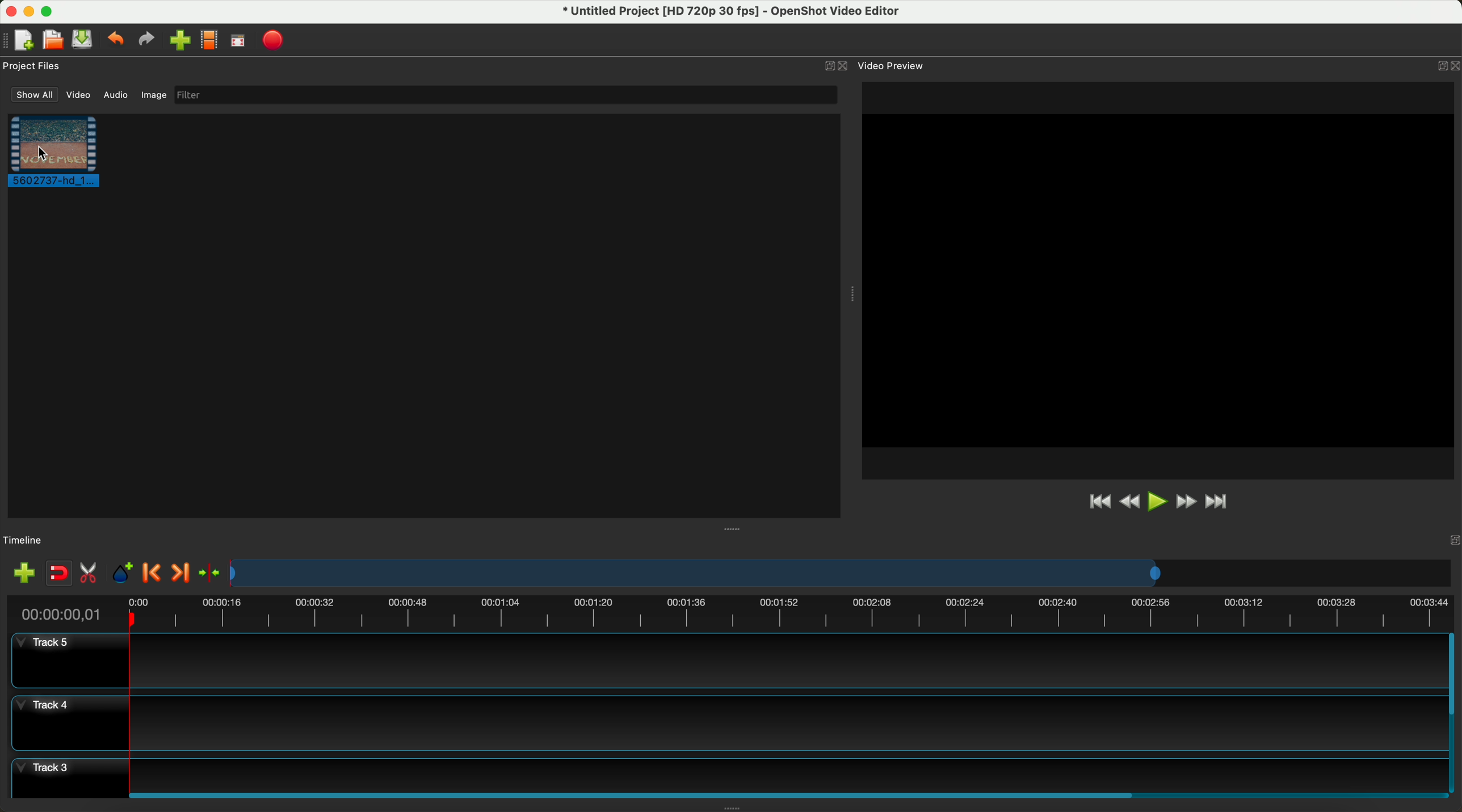  I want to click on timeline, so click(24, 541).